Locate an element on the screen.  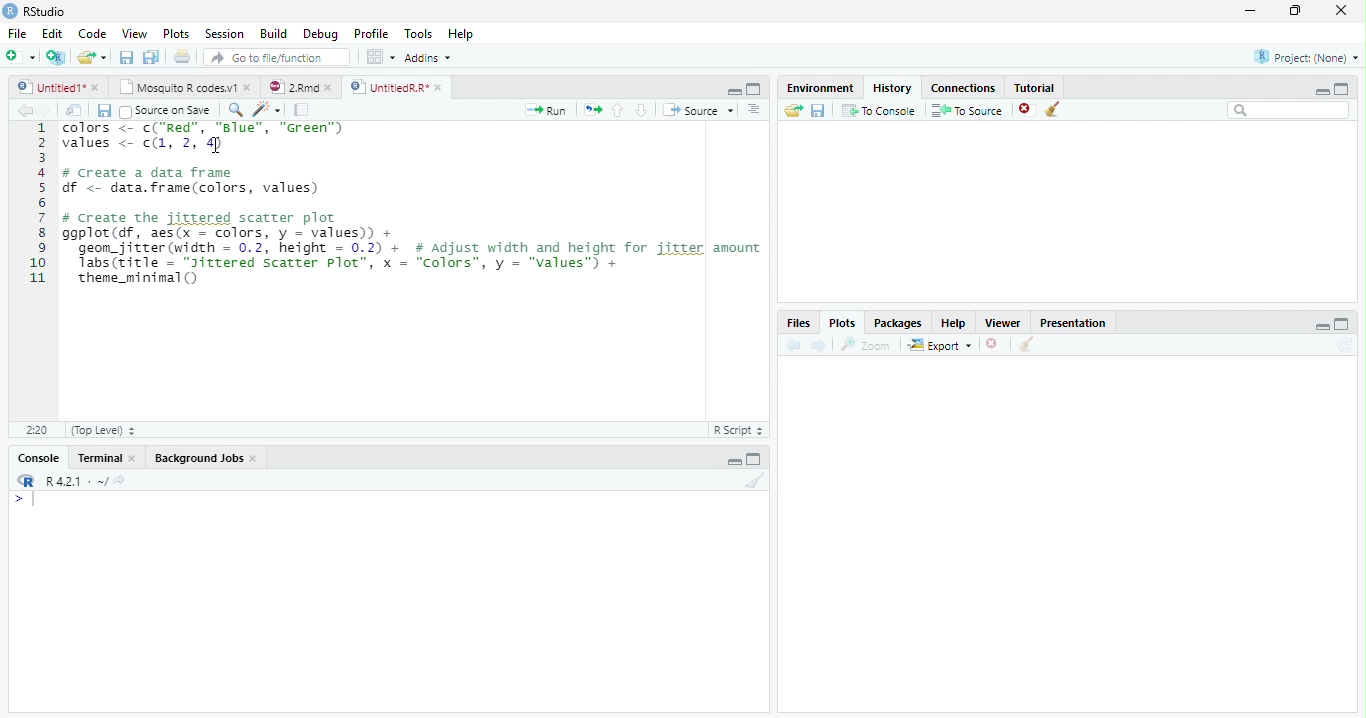
Files is located at coordinates (799, 323).